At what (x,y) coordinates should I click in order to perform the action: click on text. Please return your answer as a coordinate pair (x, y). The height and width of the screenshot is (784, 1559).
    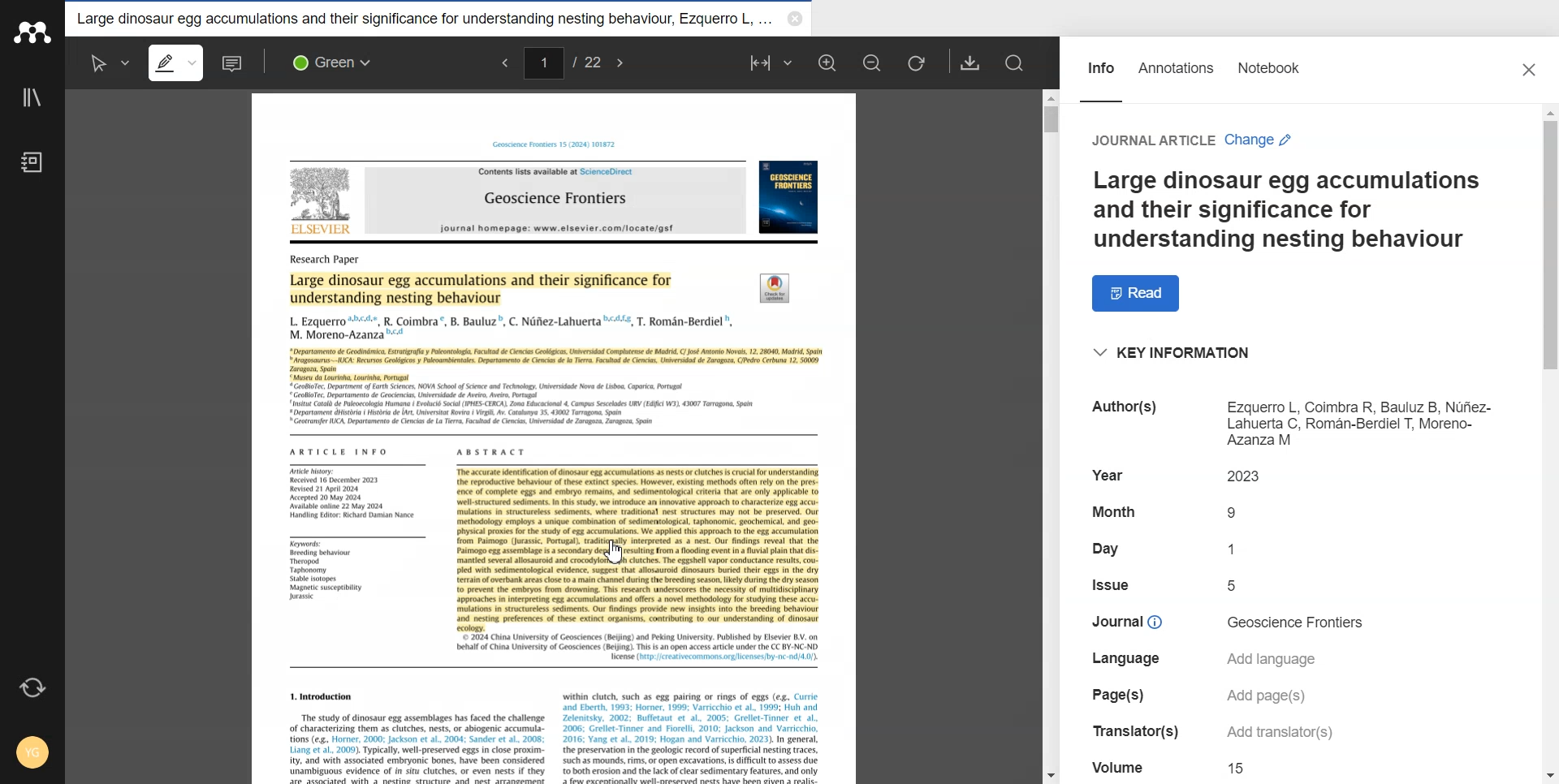
    Looking at the image, I should click on (1276, 734).